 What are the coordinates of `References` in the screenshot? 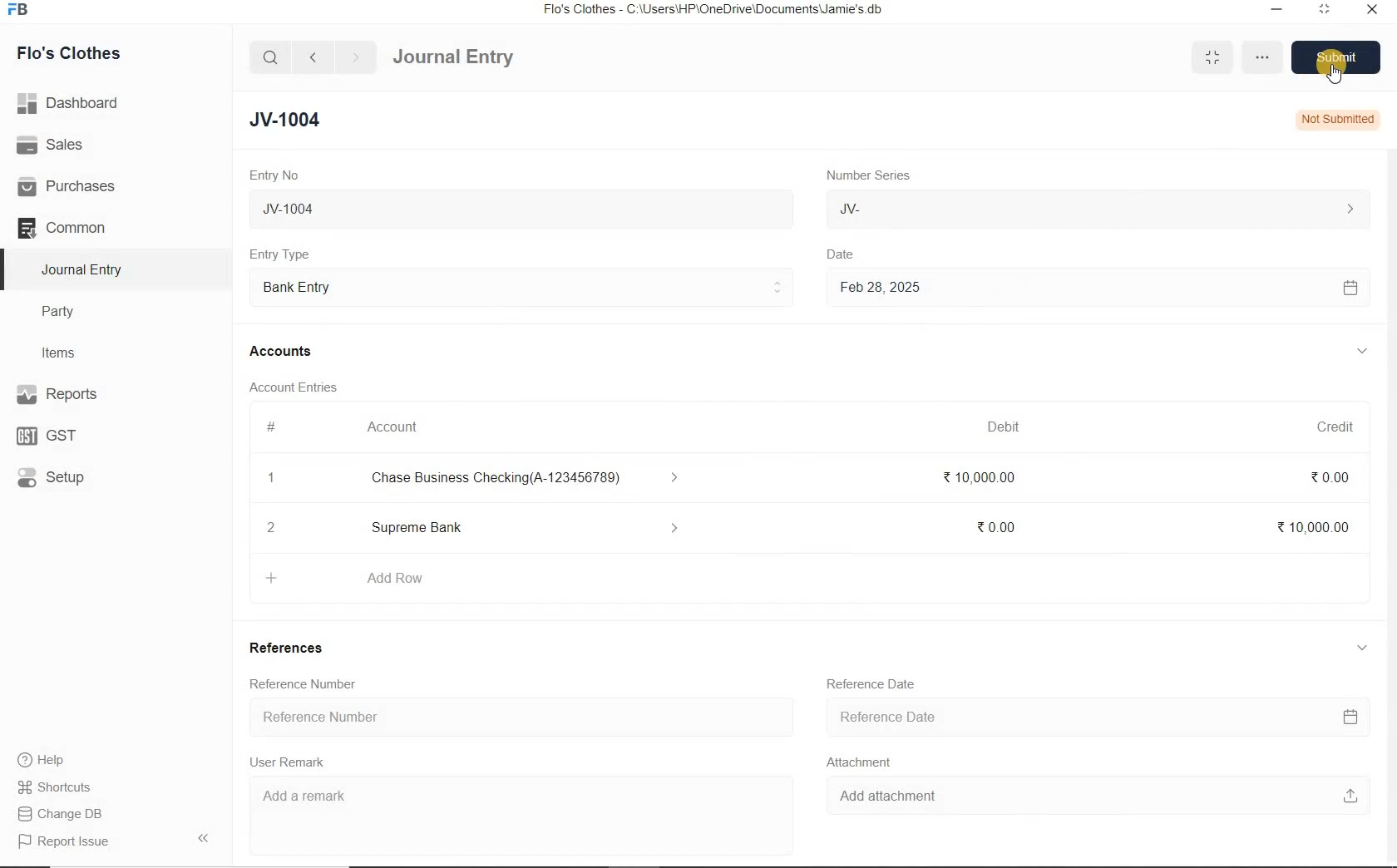 It's located at (292, 648).